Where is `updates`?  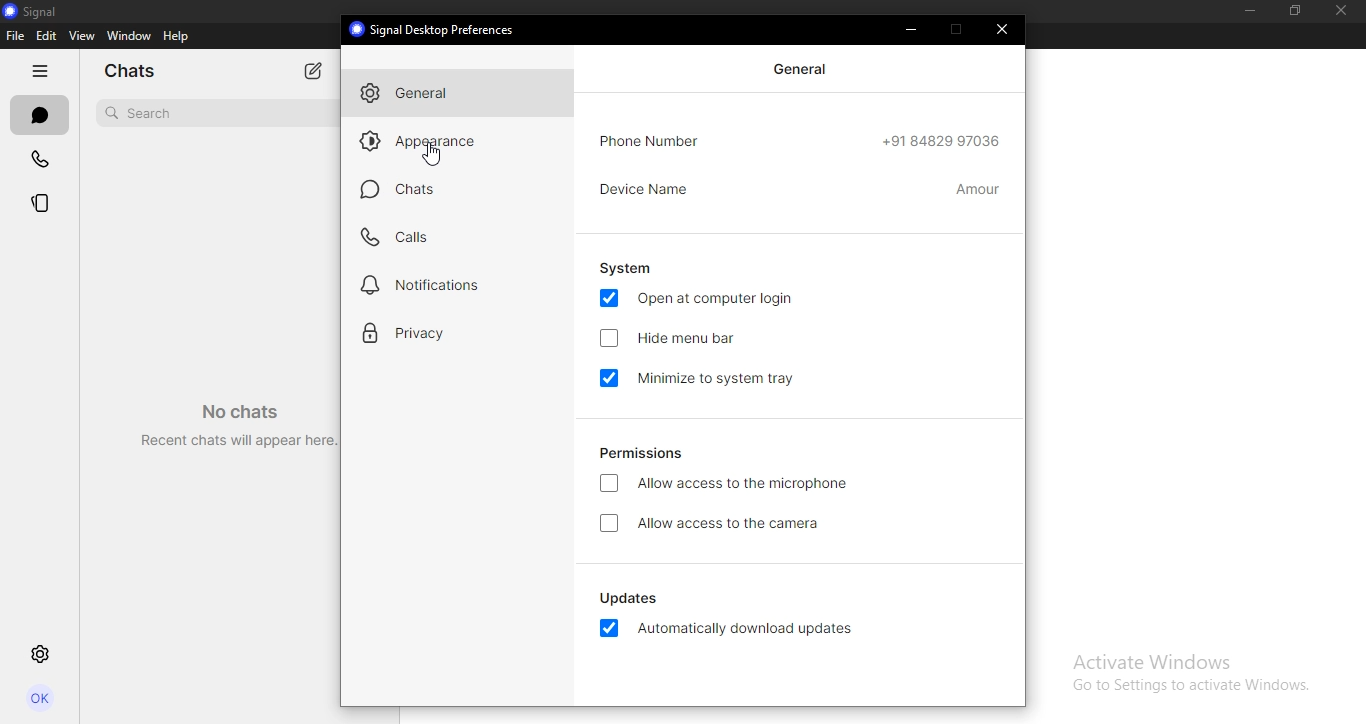 updates is located at coordinates (627, 596).